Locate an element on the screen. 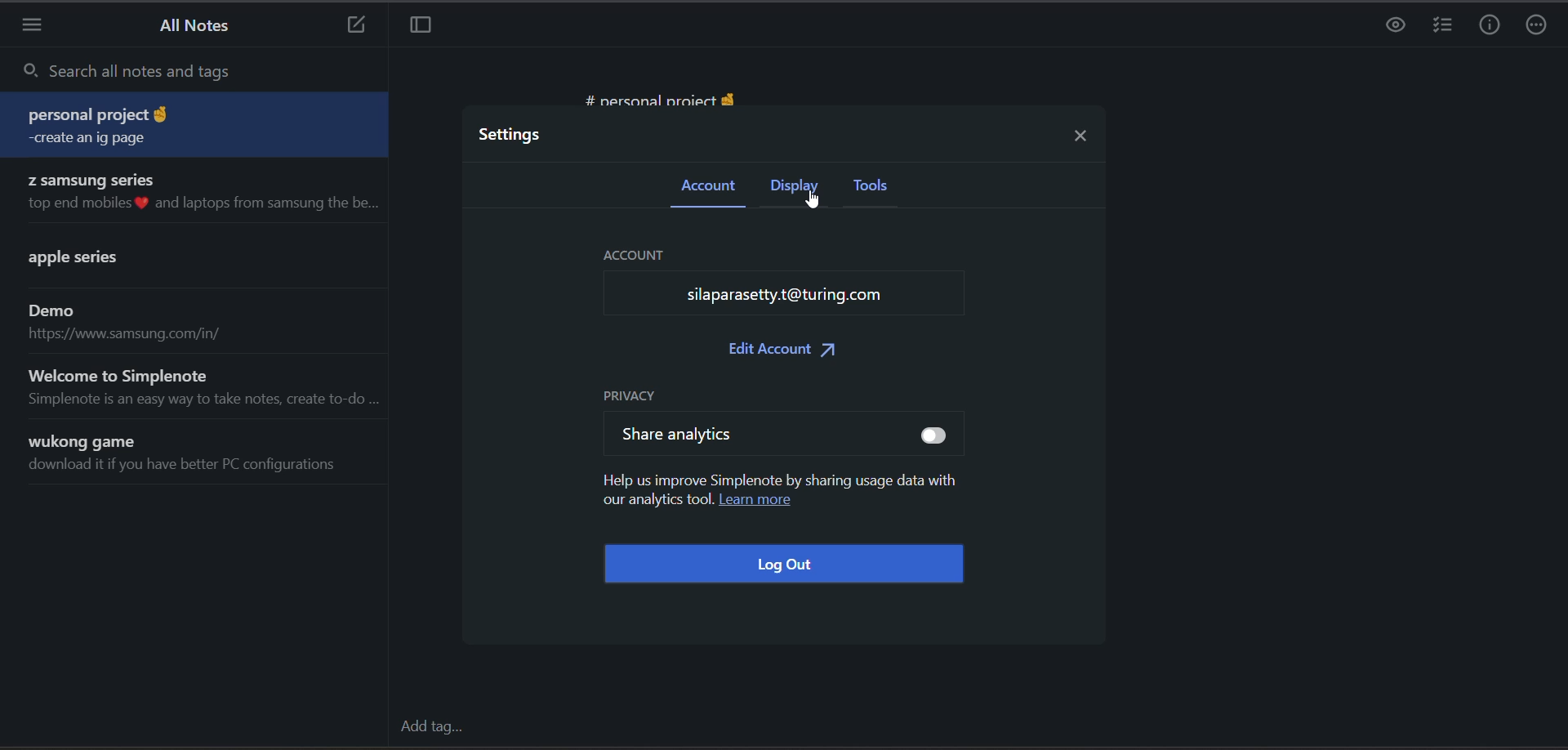 The image size is (1568, 750). privacy metadata and learn more is located at coordinates (790, 494).